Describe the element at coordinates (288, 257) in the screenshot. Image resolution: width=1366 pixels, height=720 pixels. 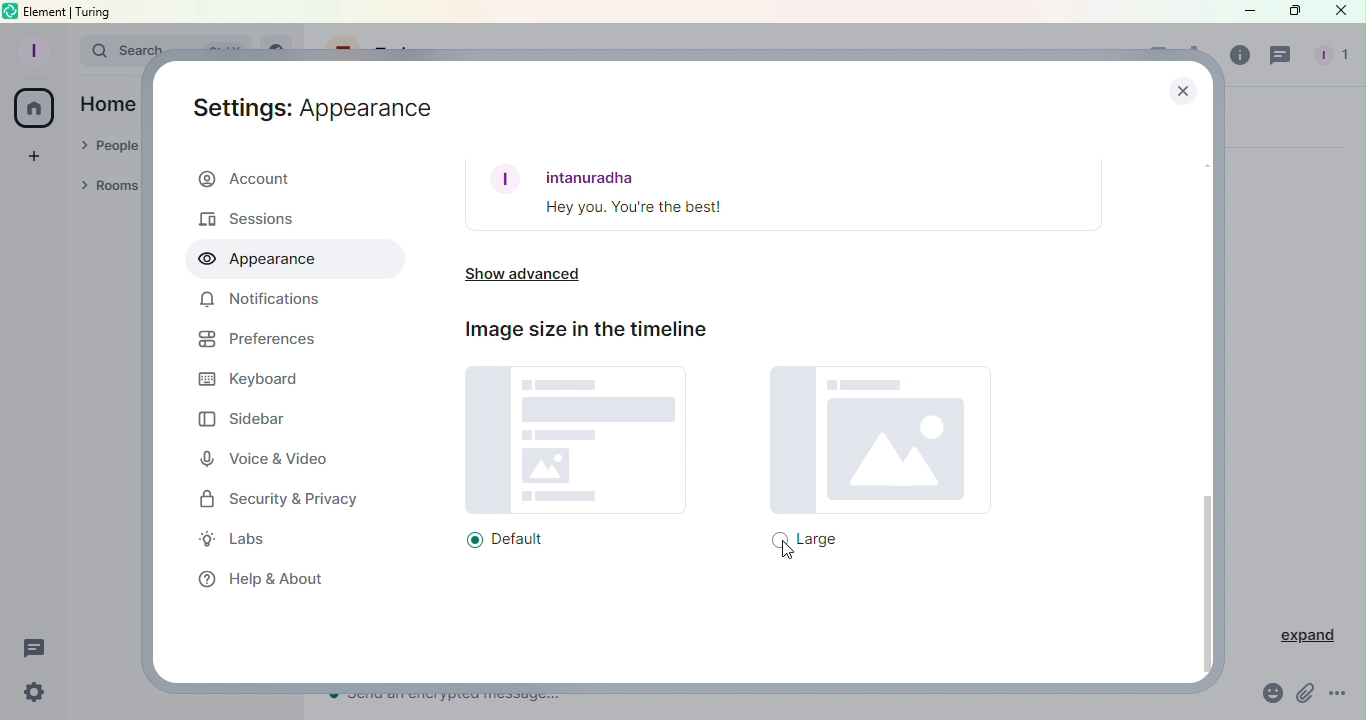
I see `Appearance` at that location.